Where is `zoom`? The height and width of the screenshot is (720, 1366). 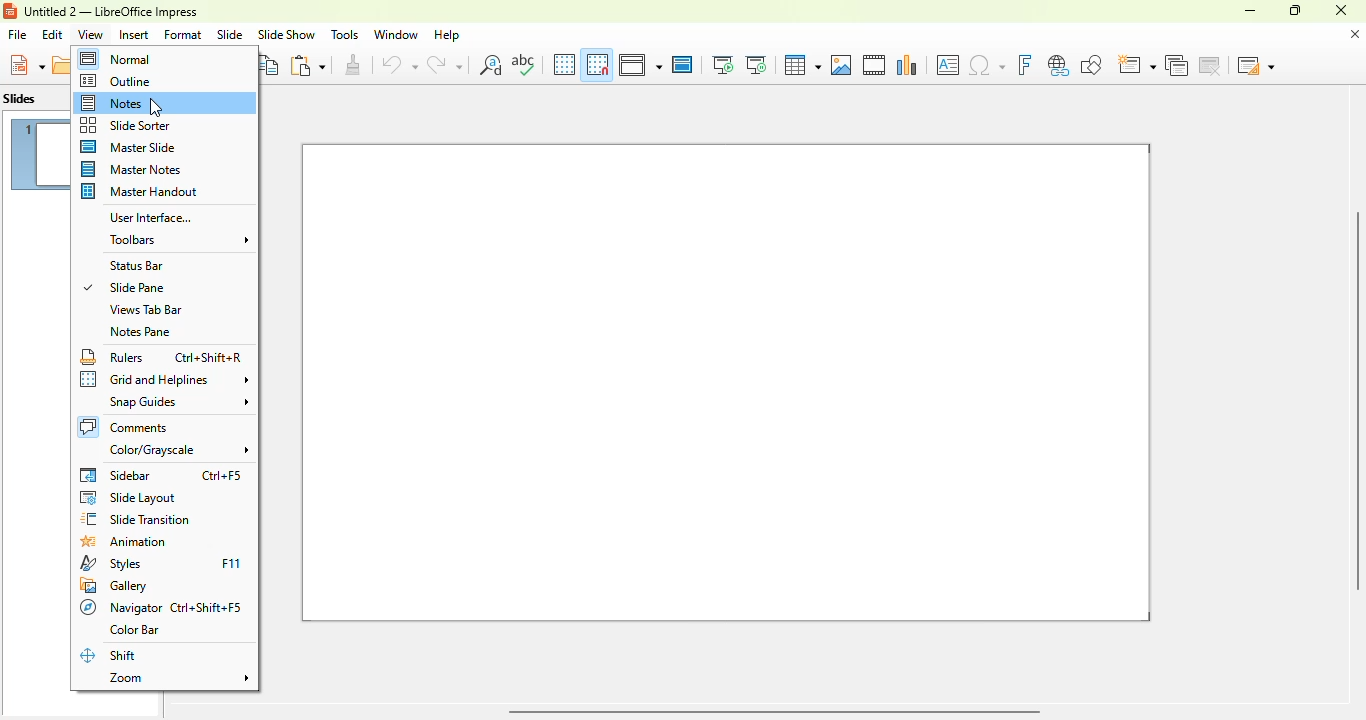 zoom is located at coordinates (179, 677).